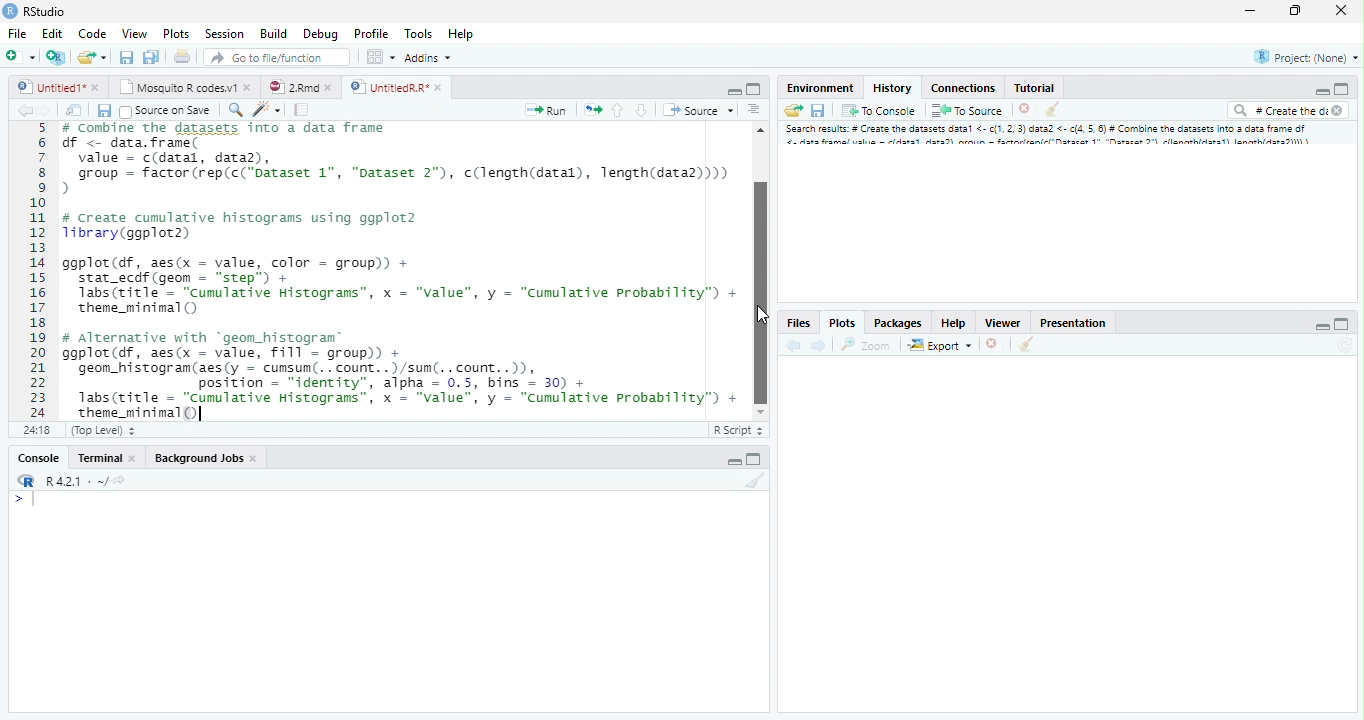 This screenshot has width=1364, height=720. I want to click on File, so click(17, 35).